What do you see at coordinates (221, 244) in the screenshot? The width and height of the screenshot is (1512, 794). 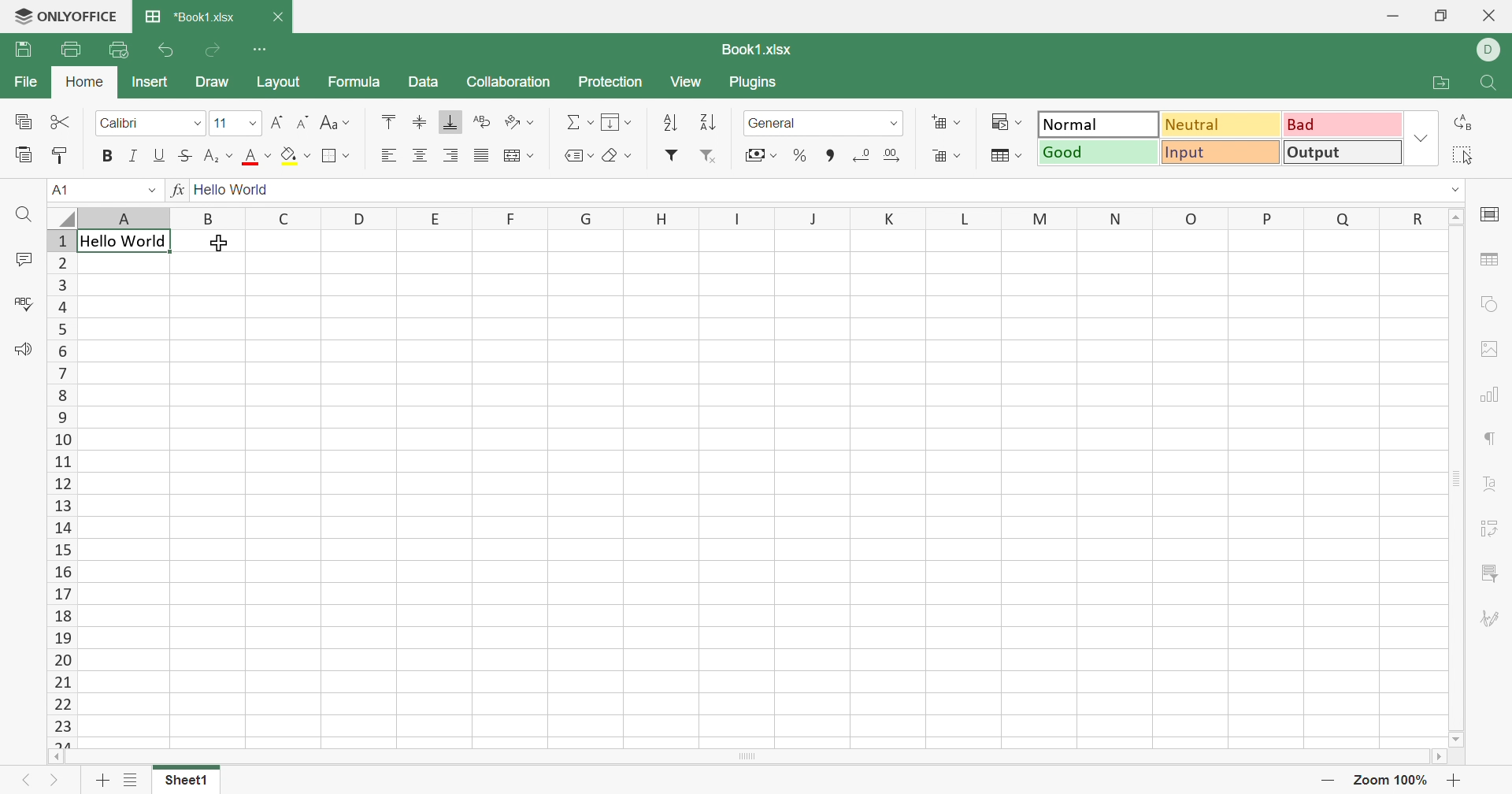 I see `Cursor` at bounding box center [221, 244].